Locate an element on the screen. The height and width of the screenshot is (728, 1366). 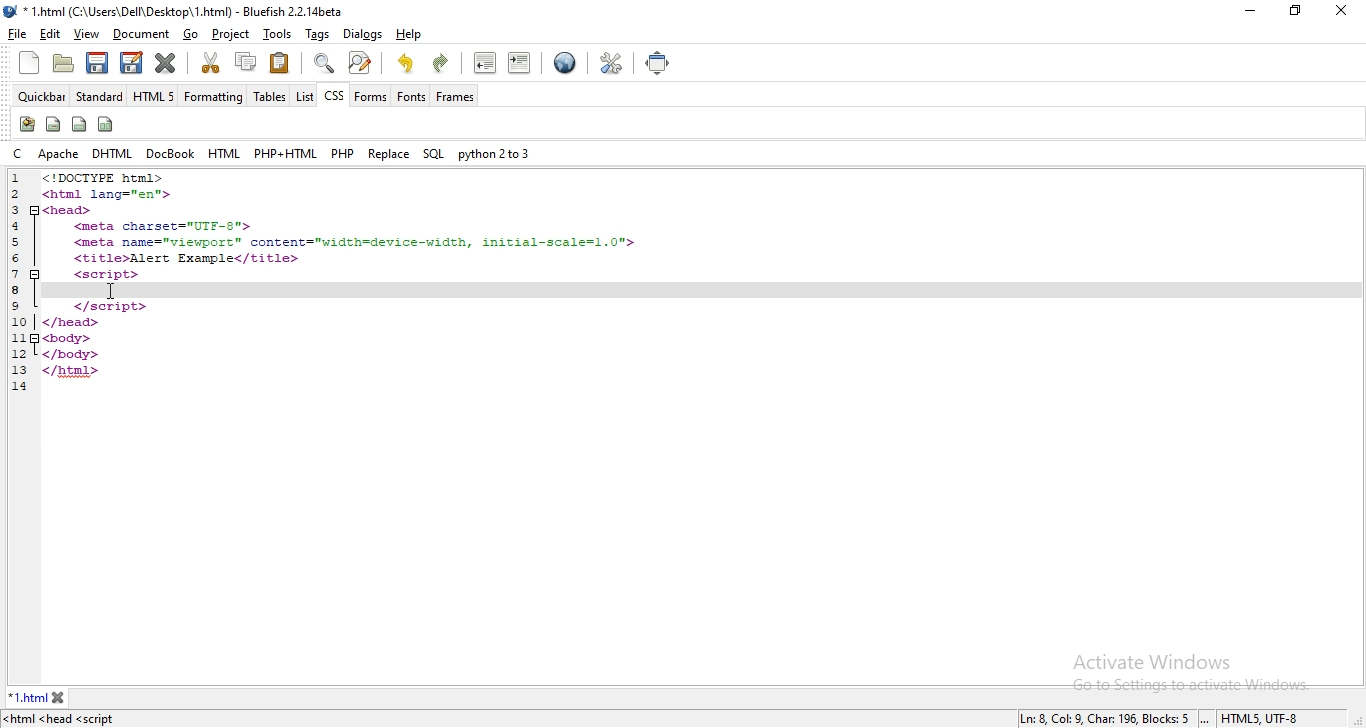
icon is located at coordinates (53, 125).